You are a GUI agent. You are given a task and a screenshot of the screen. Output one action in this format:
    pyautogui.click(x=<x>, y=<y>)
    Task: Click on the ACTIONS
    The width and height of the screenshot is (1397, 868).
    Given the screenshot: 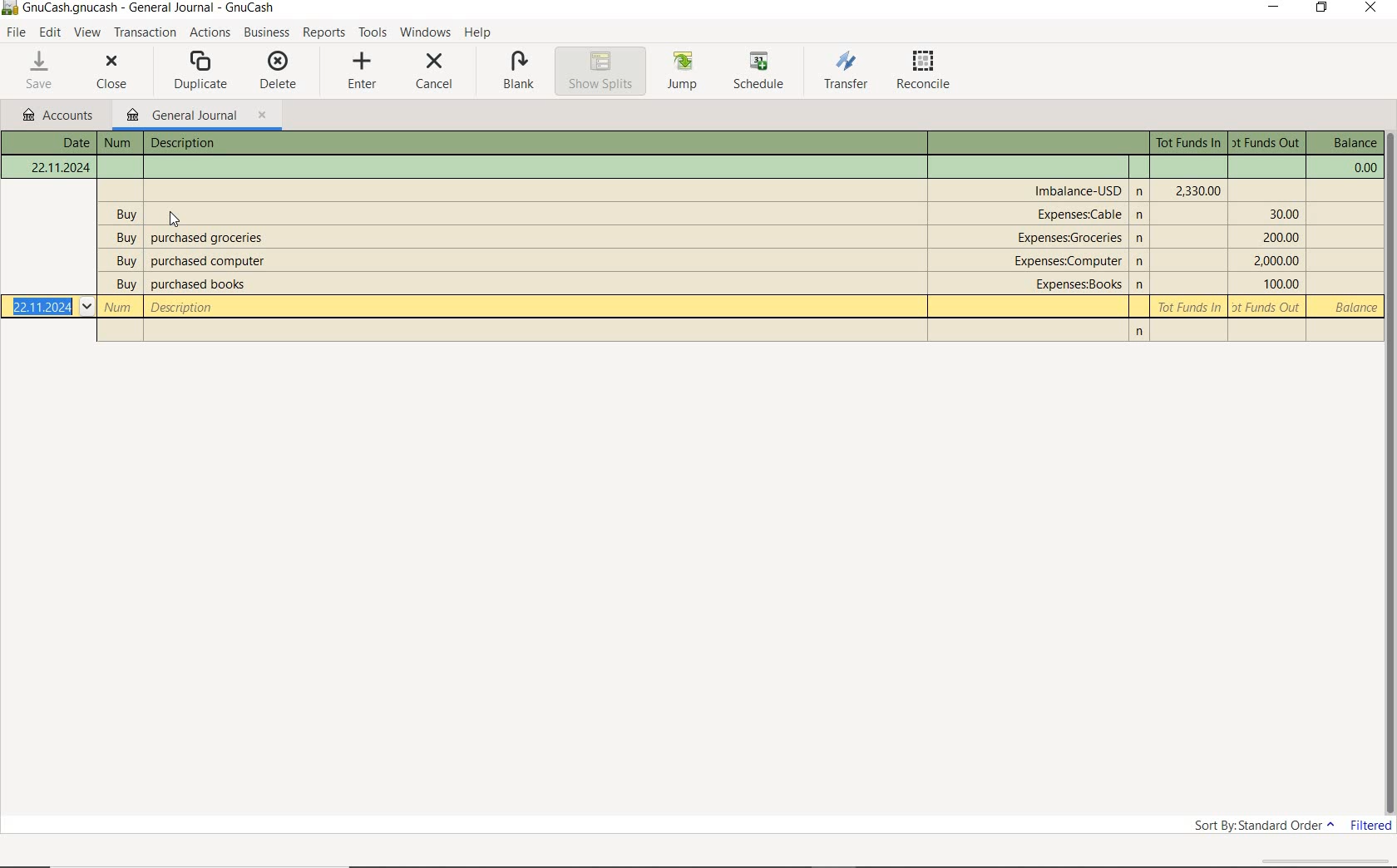 What is the action you would take?
    pyautogui.click(x=210, y=32)
    